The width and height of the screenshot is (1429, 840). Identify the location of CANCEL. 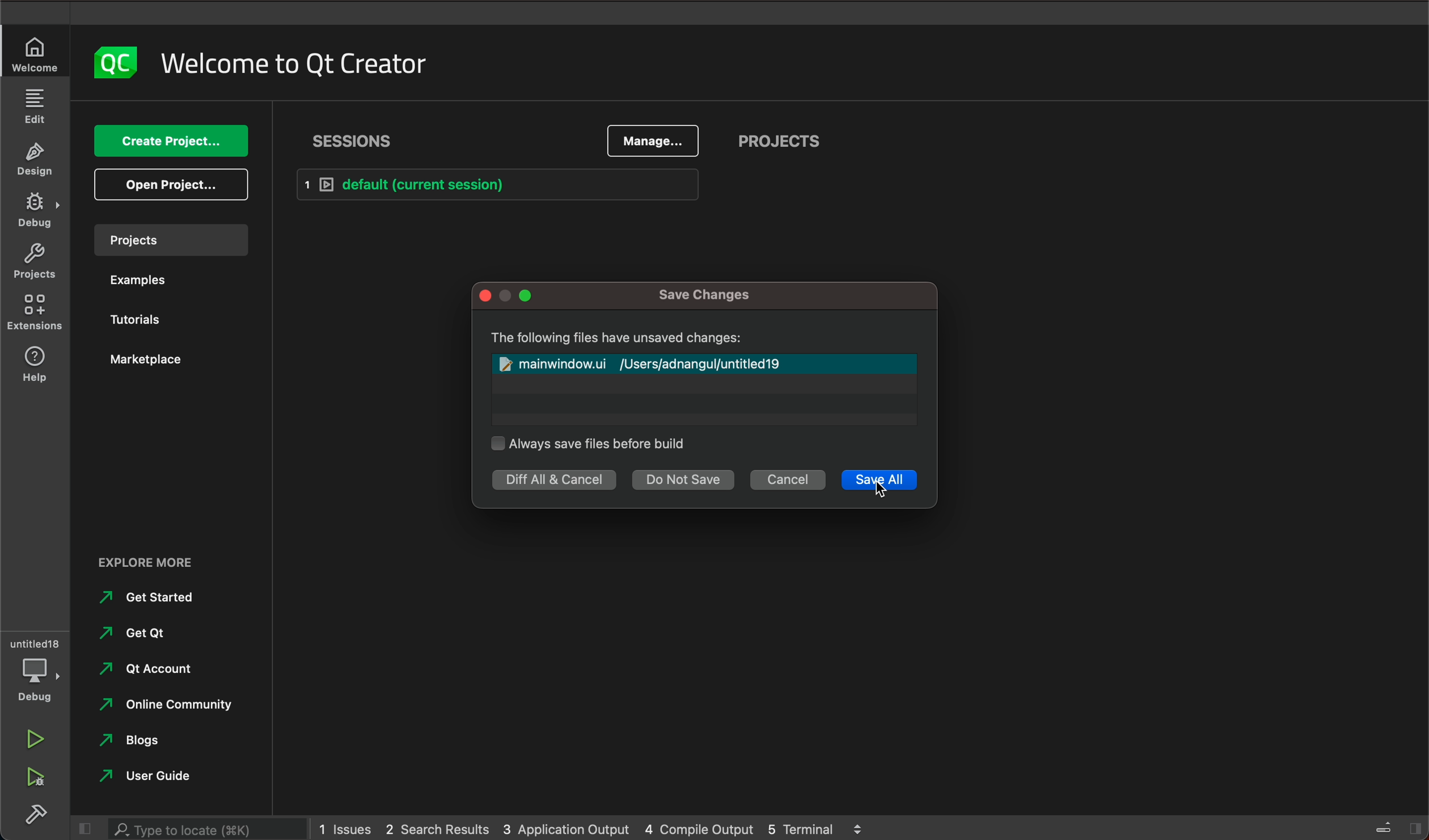
(792, 481).